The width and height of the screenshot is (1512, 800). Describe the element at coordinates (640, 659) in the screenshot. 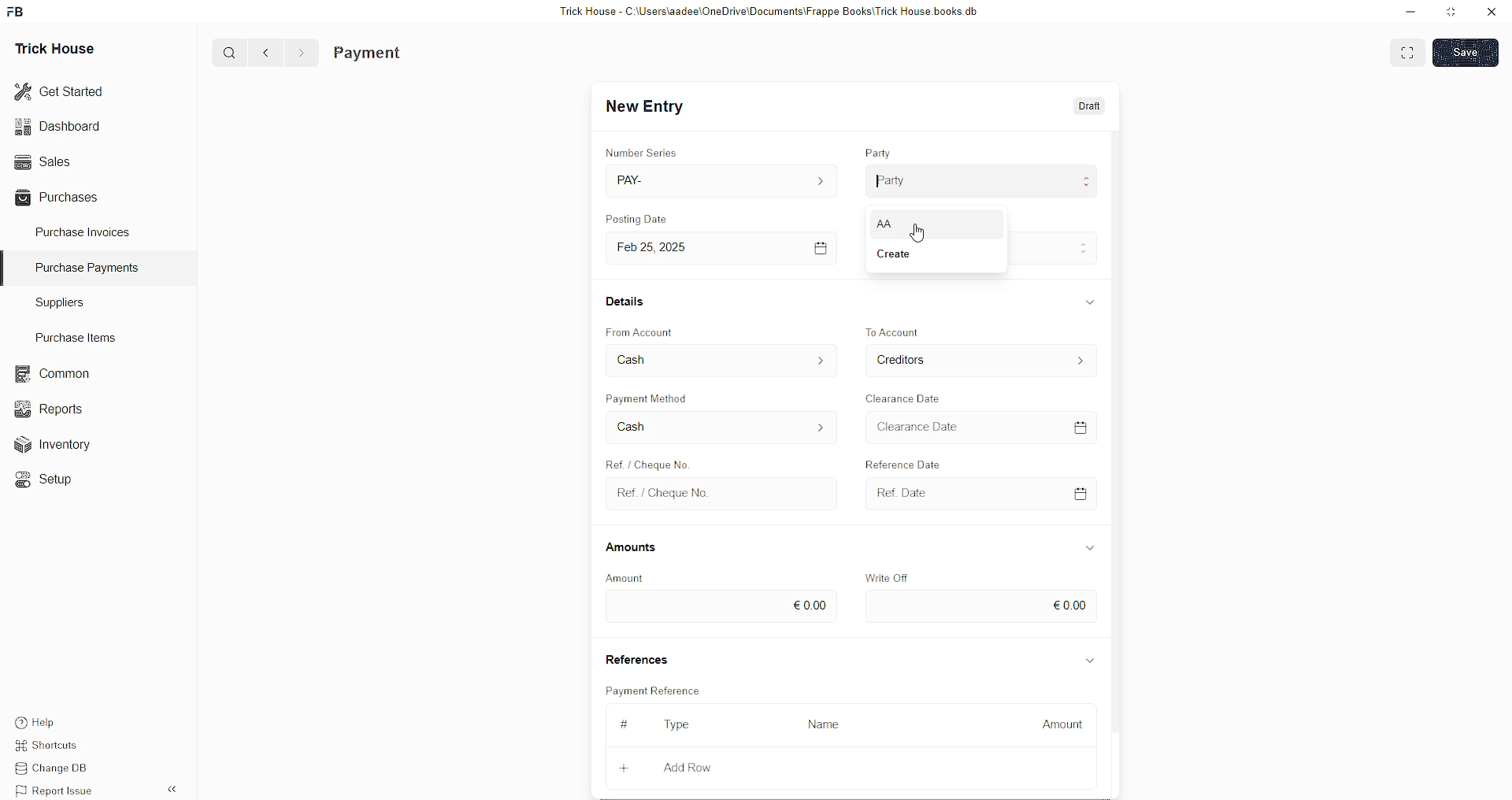

I see `References` at that location.